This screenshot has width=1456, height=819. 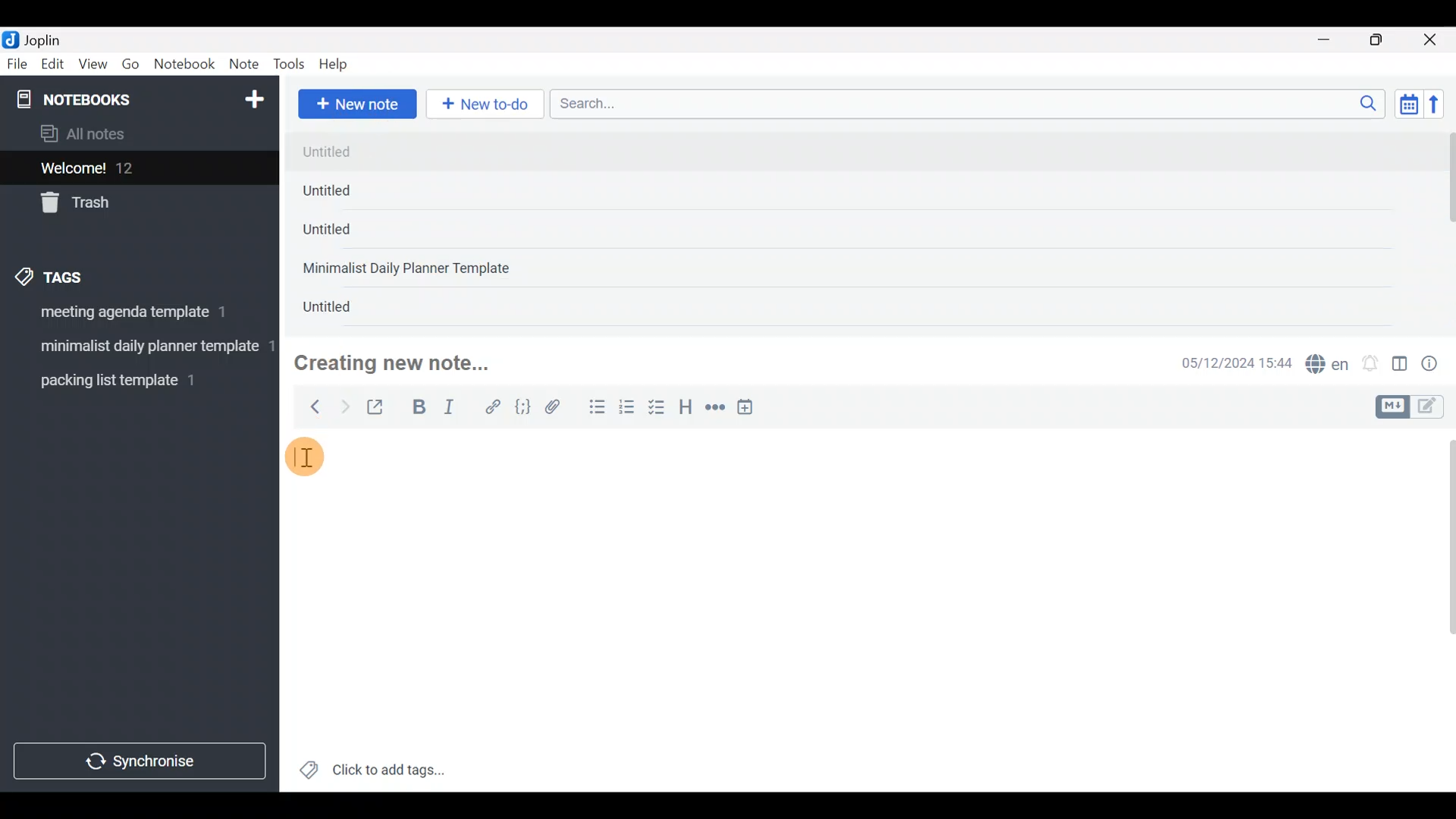 I want to click on Bold, so click(x=418, y=409).